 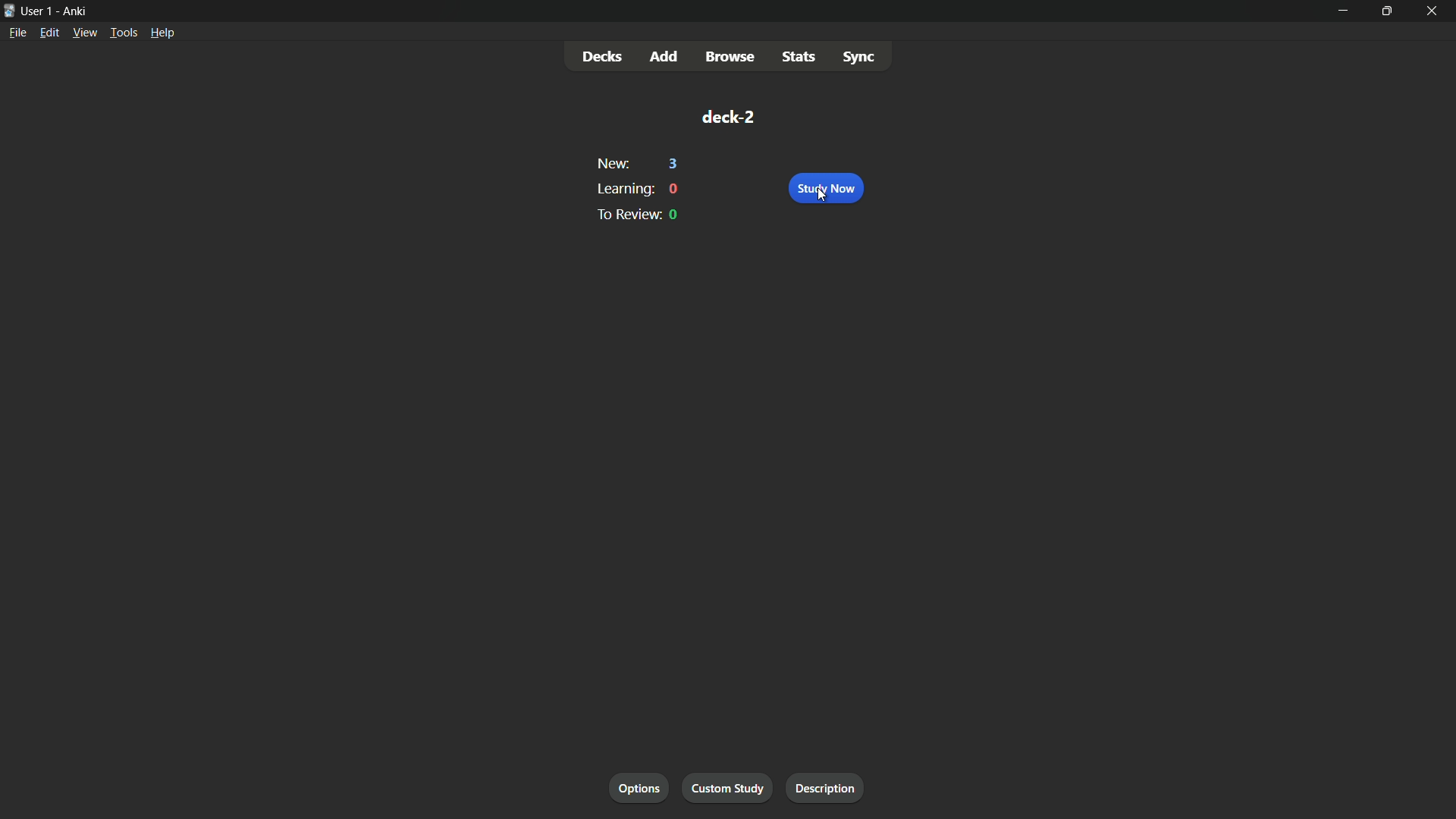 I want to click on custom study, so click(x=731, y=788).